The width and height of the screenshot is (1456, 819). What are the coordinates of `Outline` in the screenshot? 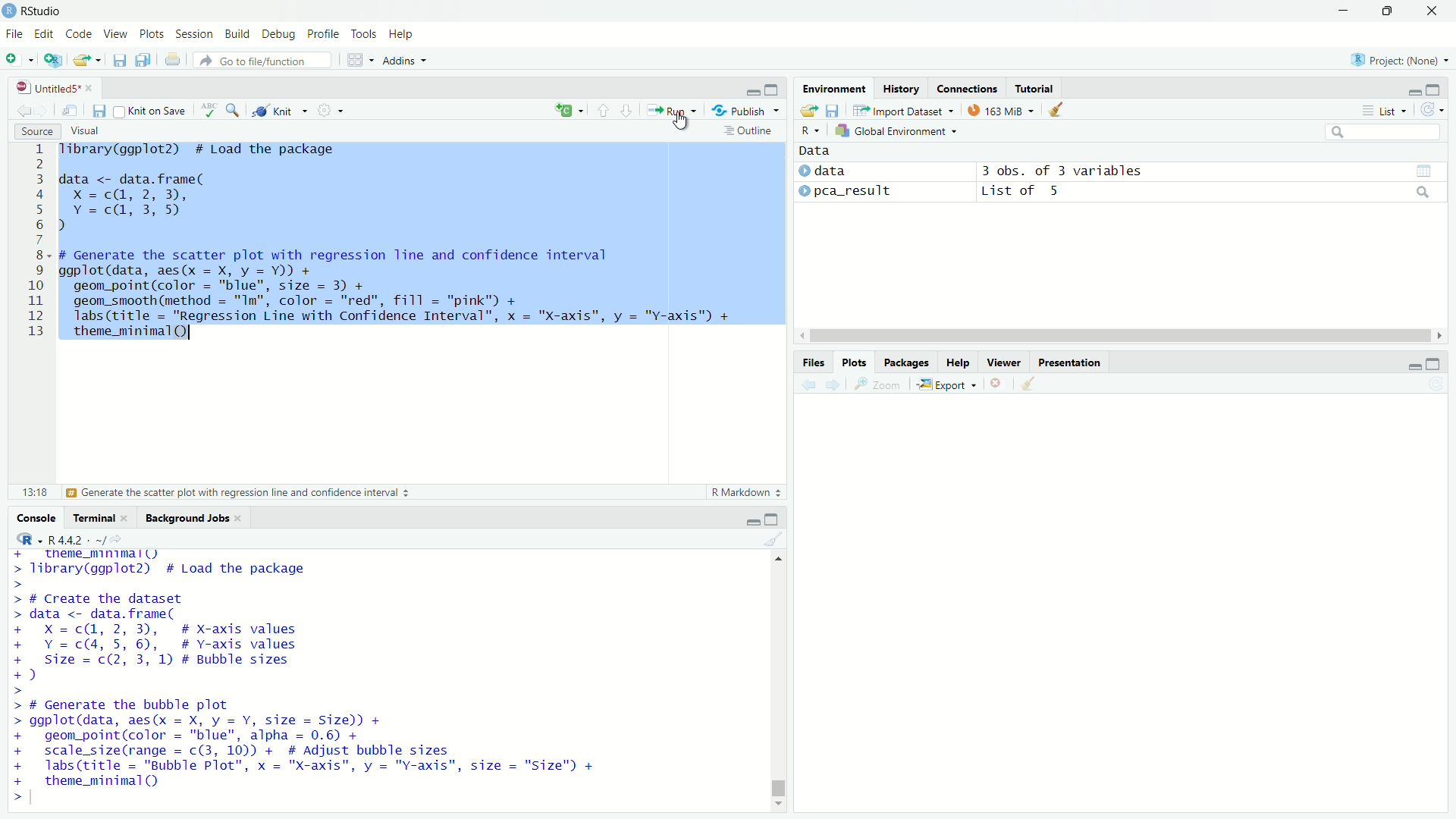 It's located at (750, 130).